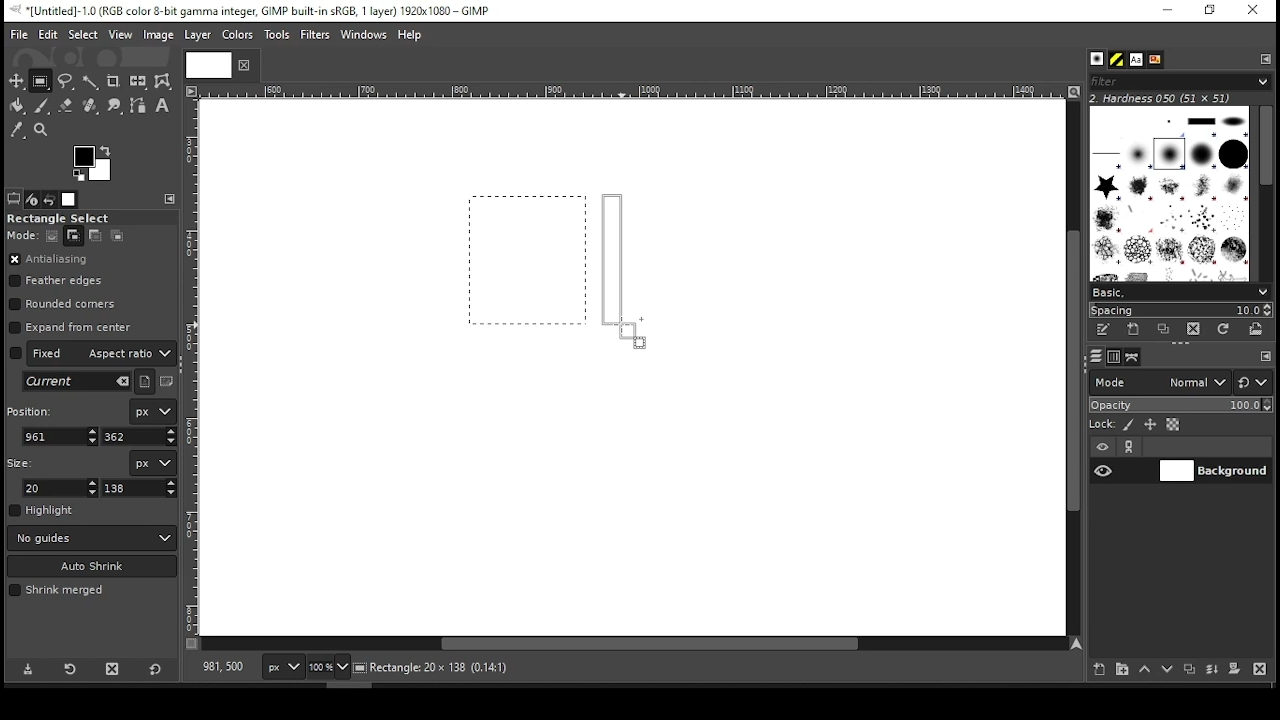  What do you see at coordinates (1145, 671) in the screenshot?
I see `move layer one step up` at bounding box center [1145, 671].